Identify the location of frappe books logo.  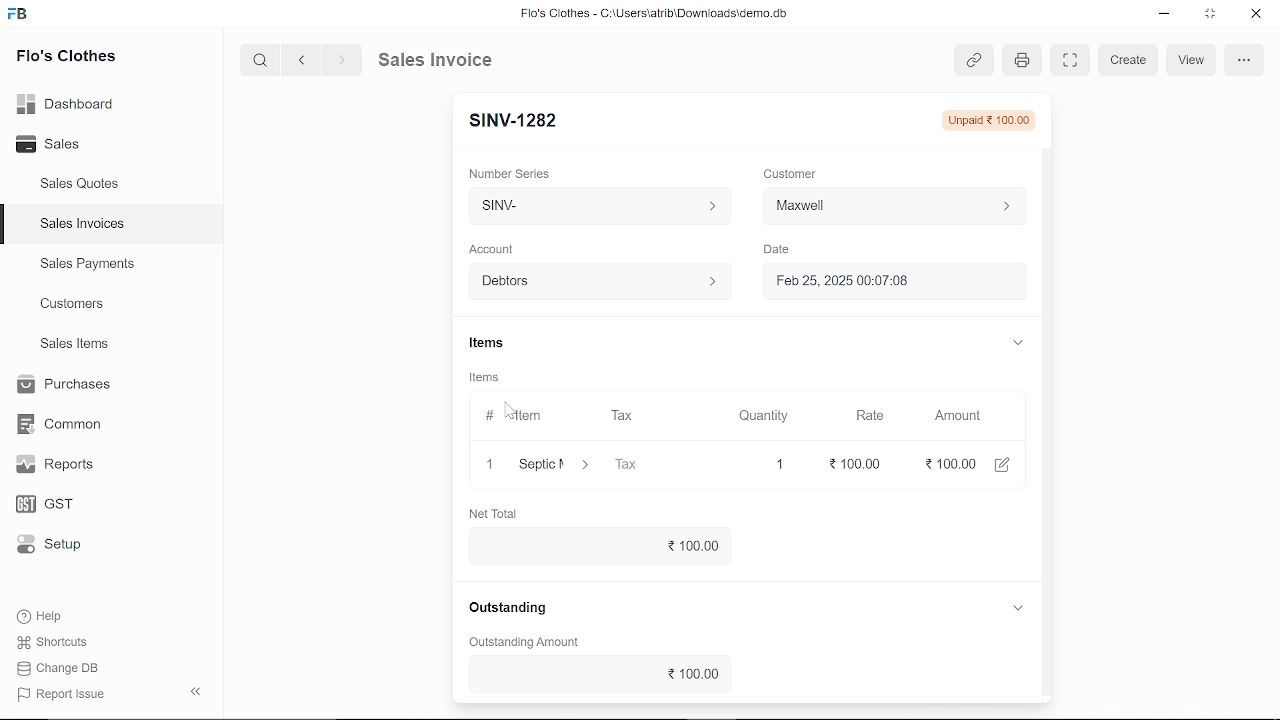
(20, 17).